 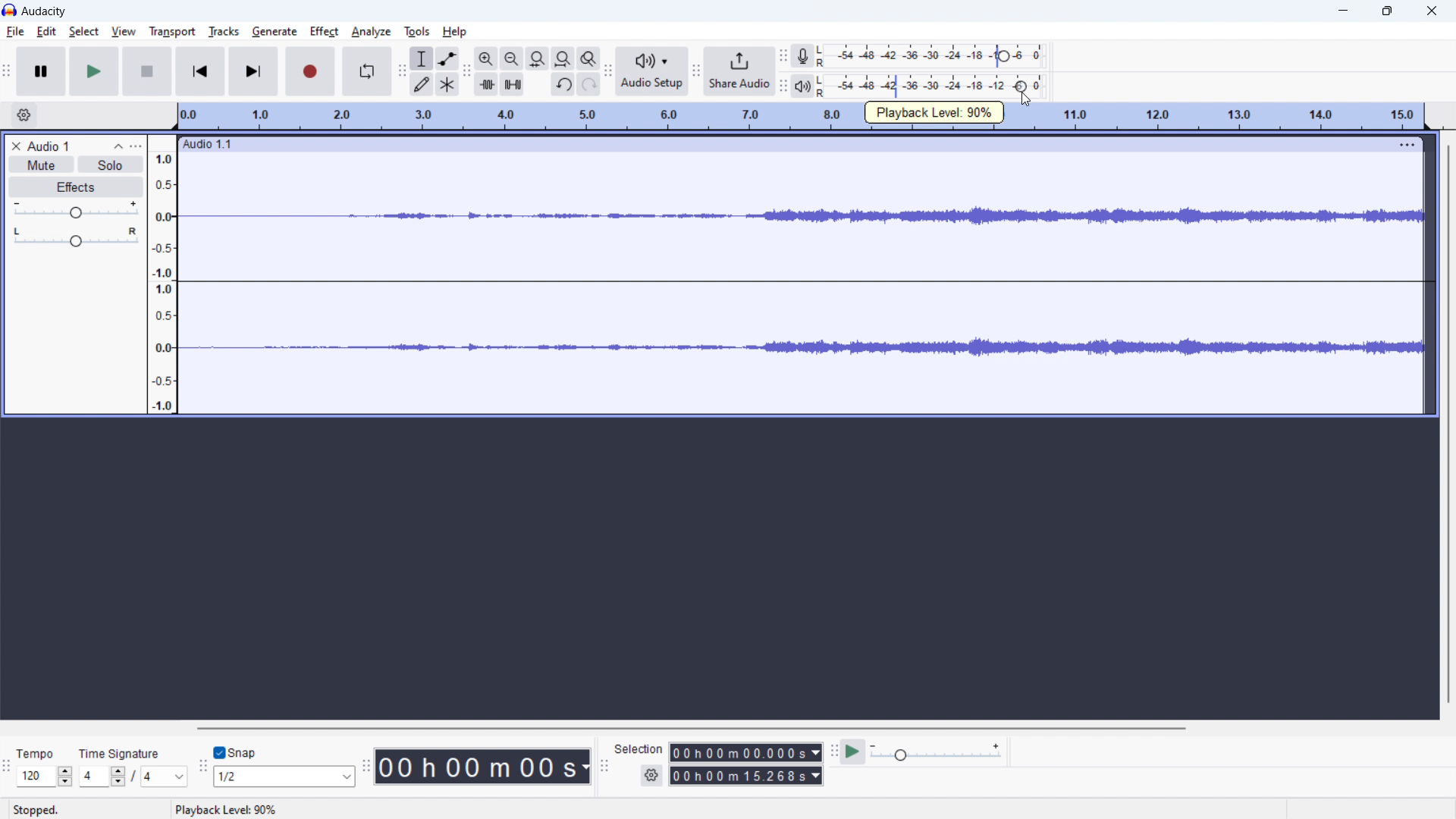 I want to click on selection tool, so click(x=422, y=58).